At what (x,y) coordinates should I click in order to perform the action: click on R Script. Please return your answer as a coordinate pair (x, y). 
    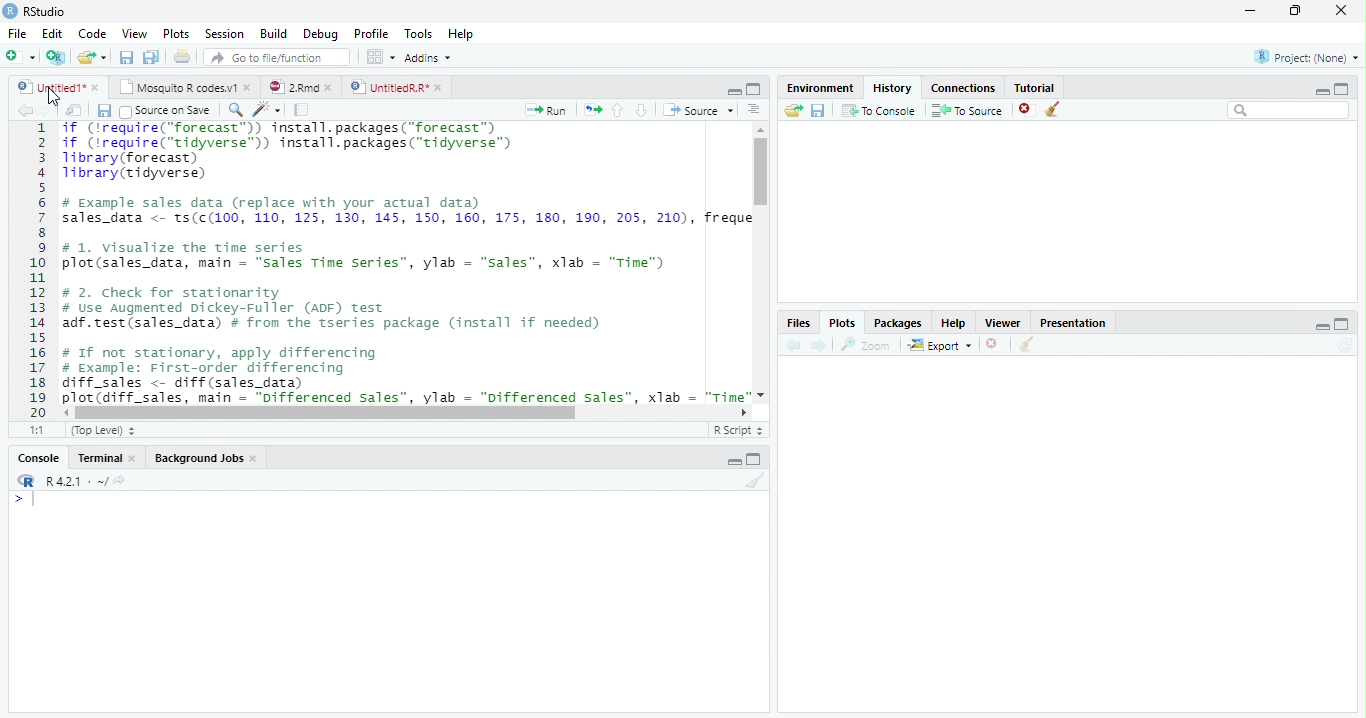
    Looking at the image, I should click on (737, 431).